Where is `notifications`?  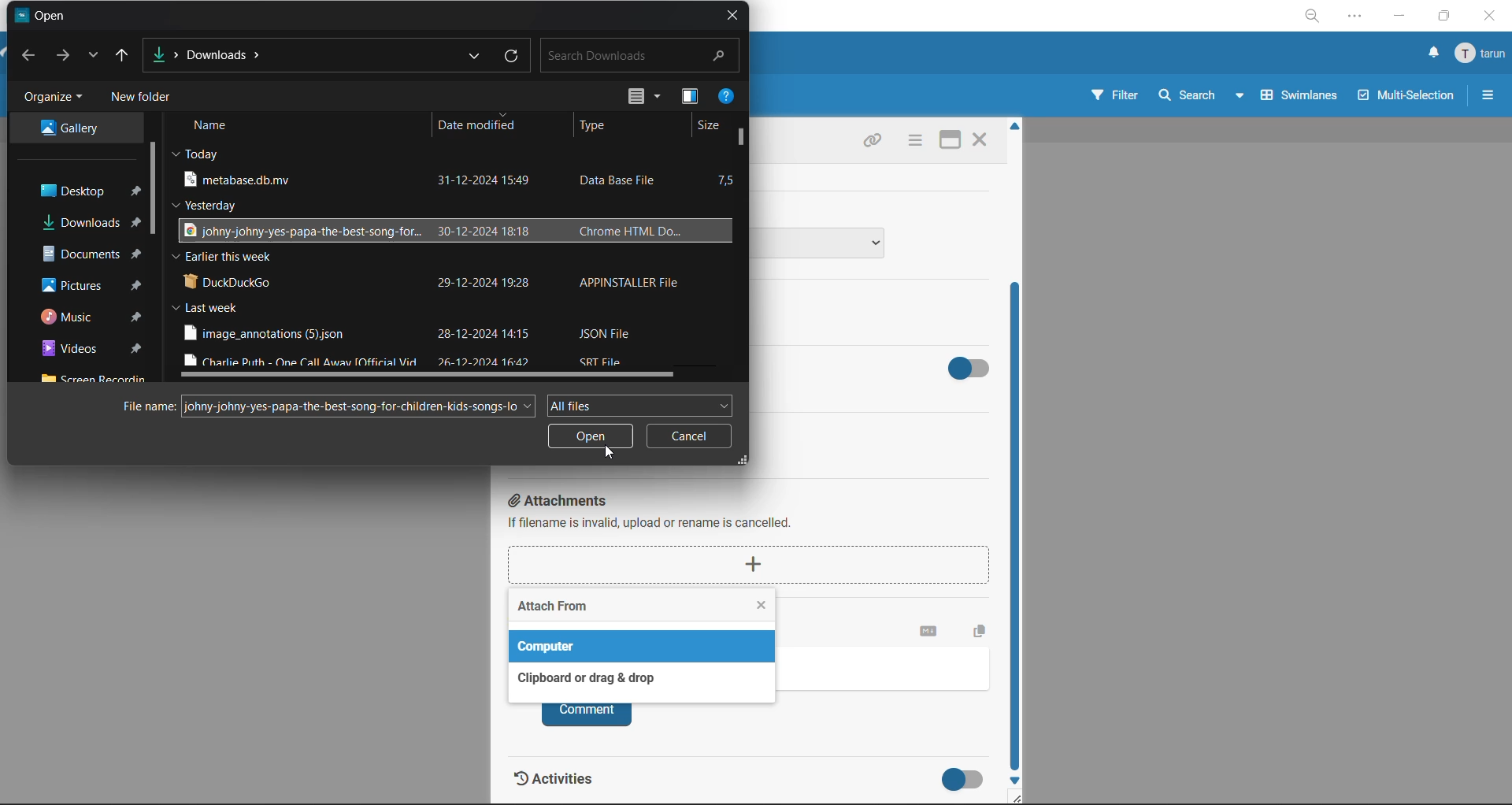
notifications is located at coordinates (1434, 53).